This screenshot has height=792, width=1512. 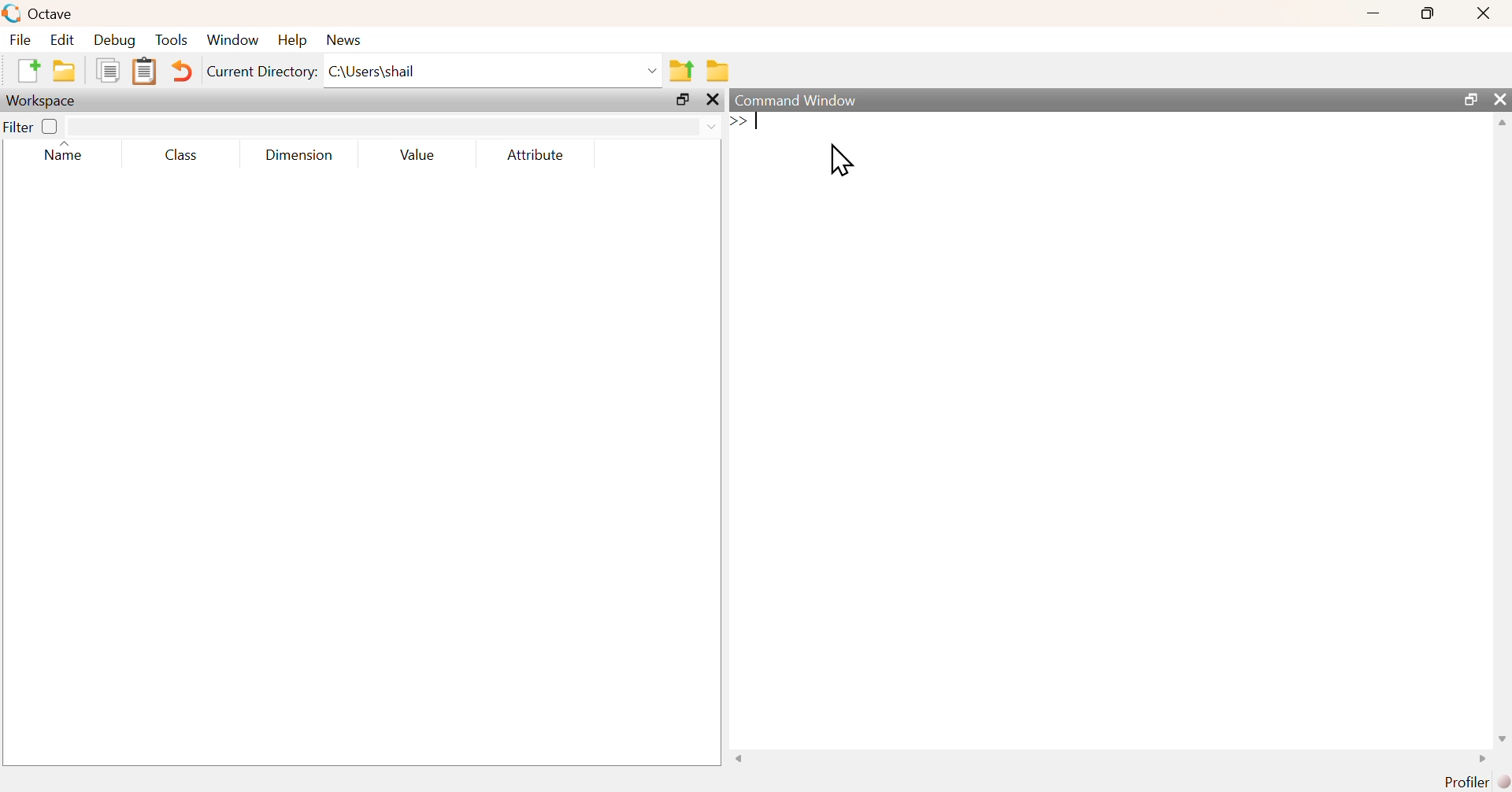 I want to click on Profiler, so click(x=1478, y=783).